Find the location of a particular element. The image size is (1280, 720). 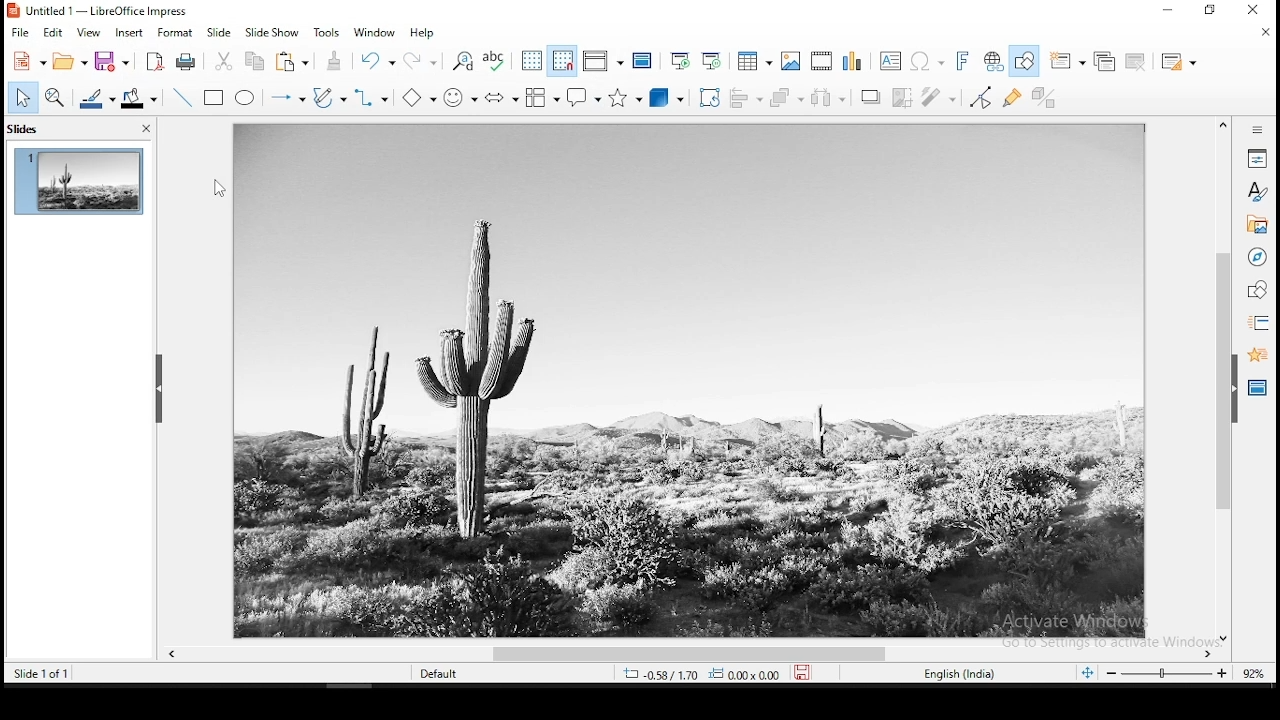

select tool is located at coordinates (26, 97).